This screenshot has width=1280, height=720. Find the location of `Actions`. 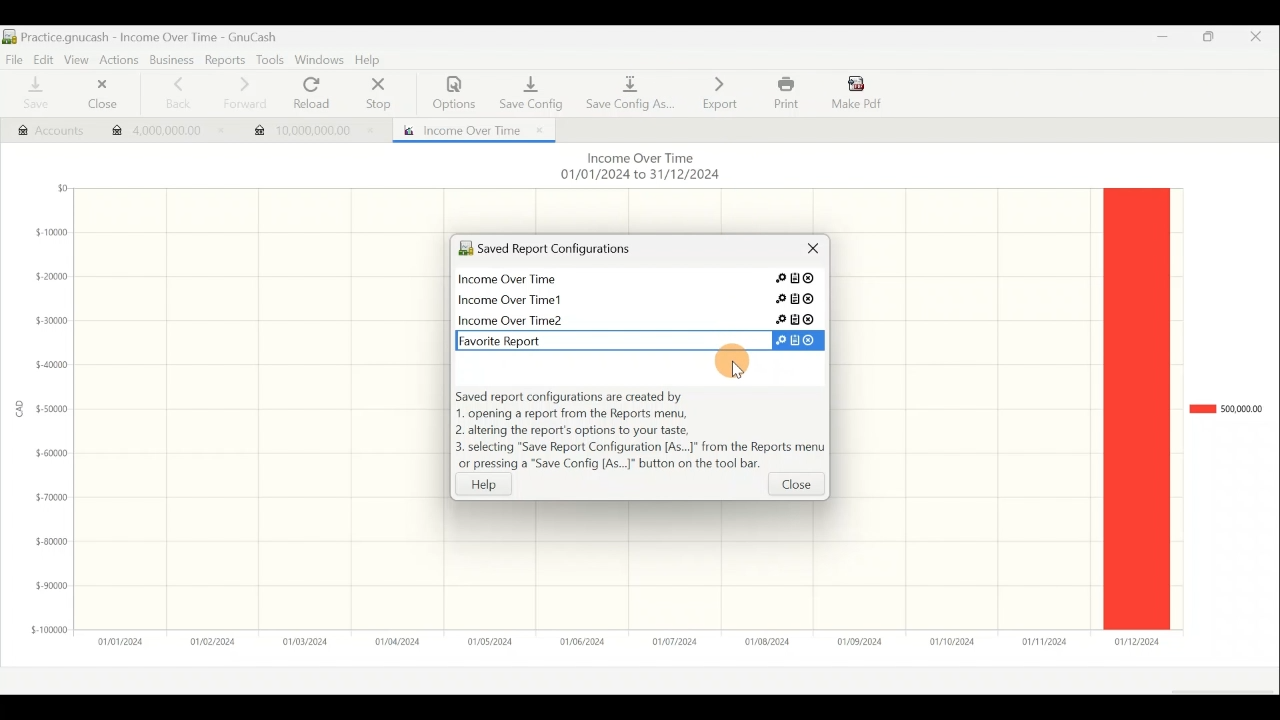

Actions is located at coordinates (119, 59).